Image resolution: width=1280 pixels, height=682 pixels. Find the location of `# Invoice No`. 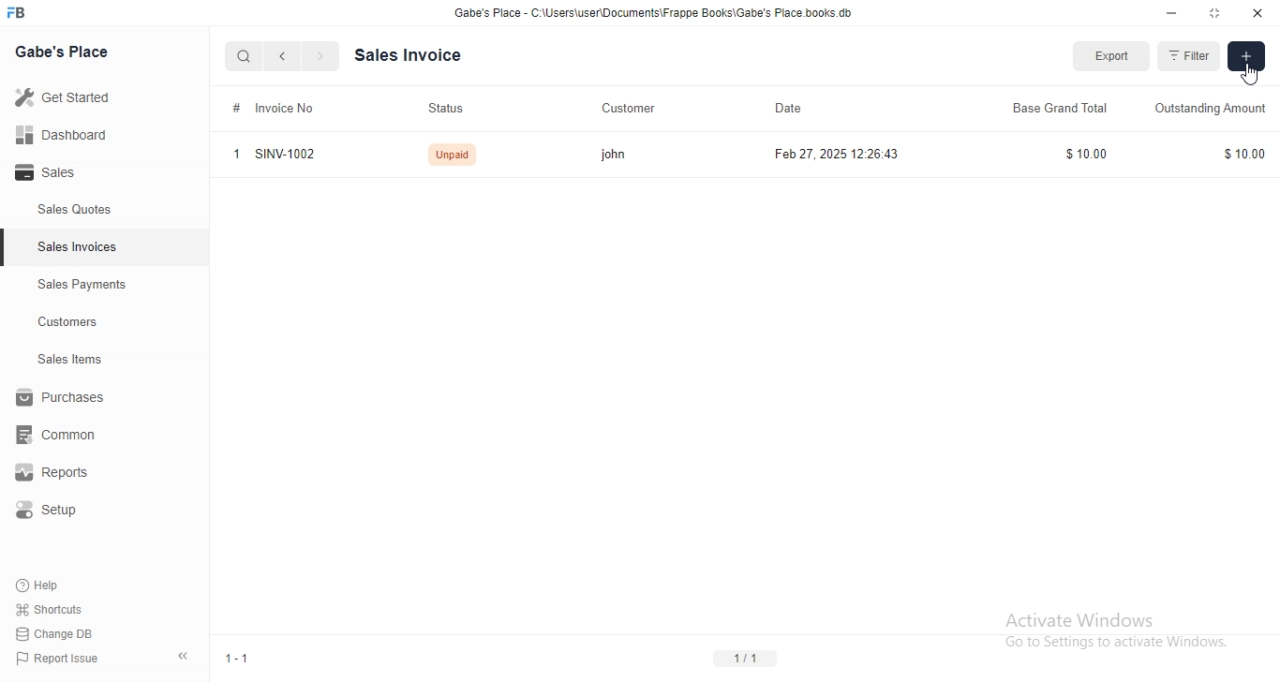

# Invoice No is located at coordinates (268, 111).